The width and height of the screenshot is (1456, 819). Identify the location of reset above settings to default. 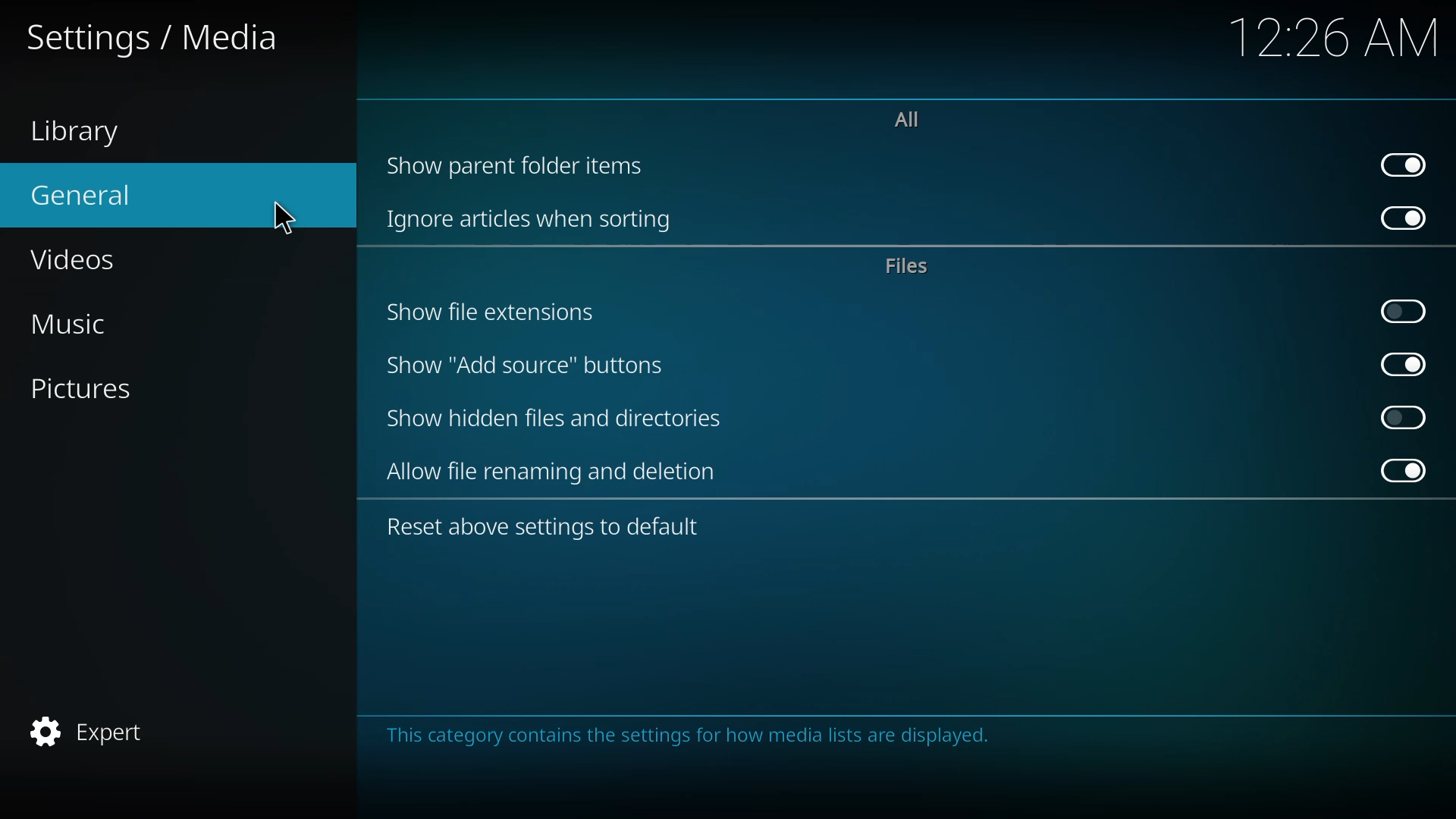
(546, 529).